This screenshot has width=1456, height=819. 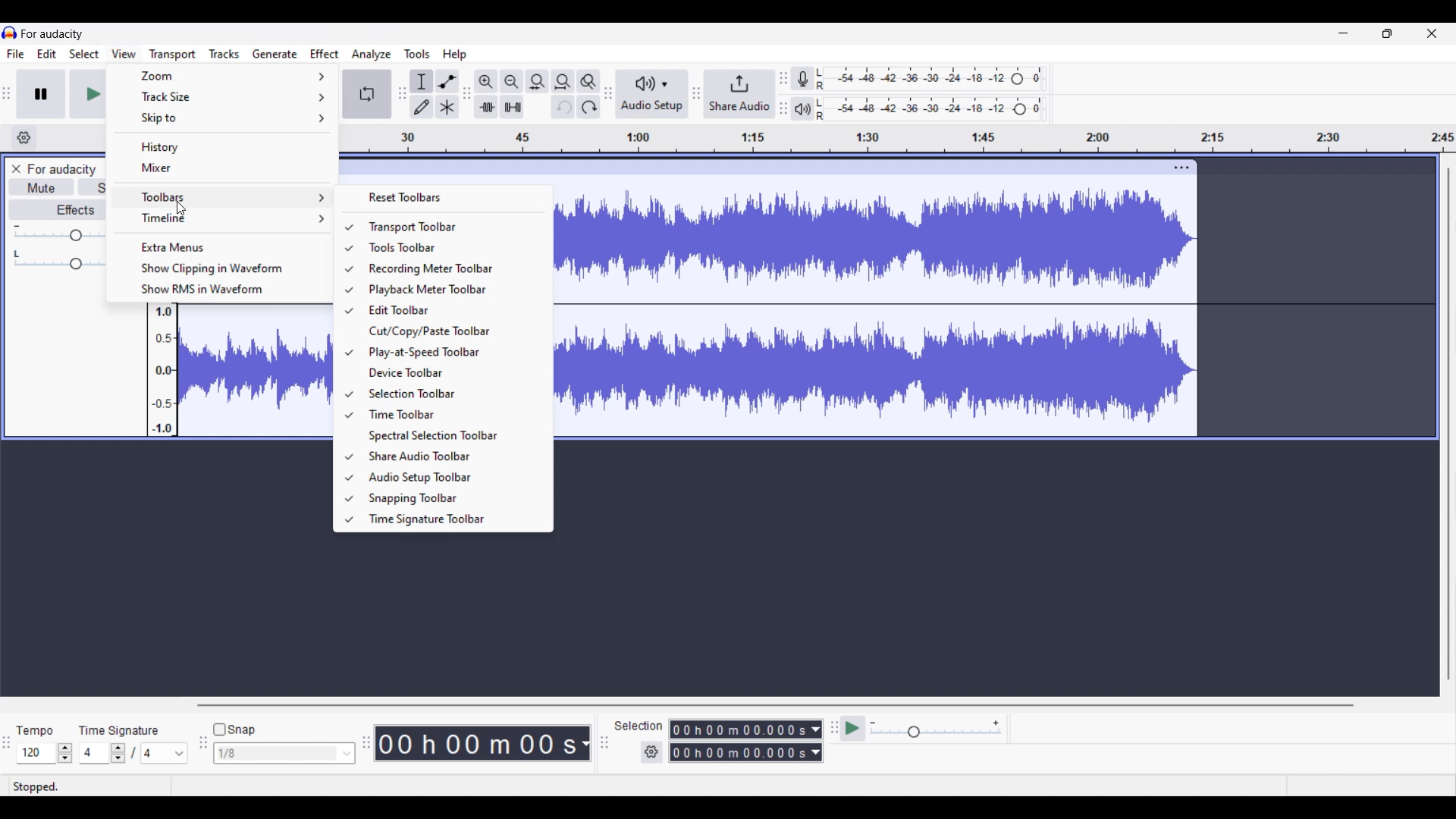 What do you see at coordinates (754, 166) in the screenshot?
I see `click to move` at bounding box center [754, 166].